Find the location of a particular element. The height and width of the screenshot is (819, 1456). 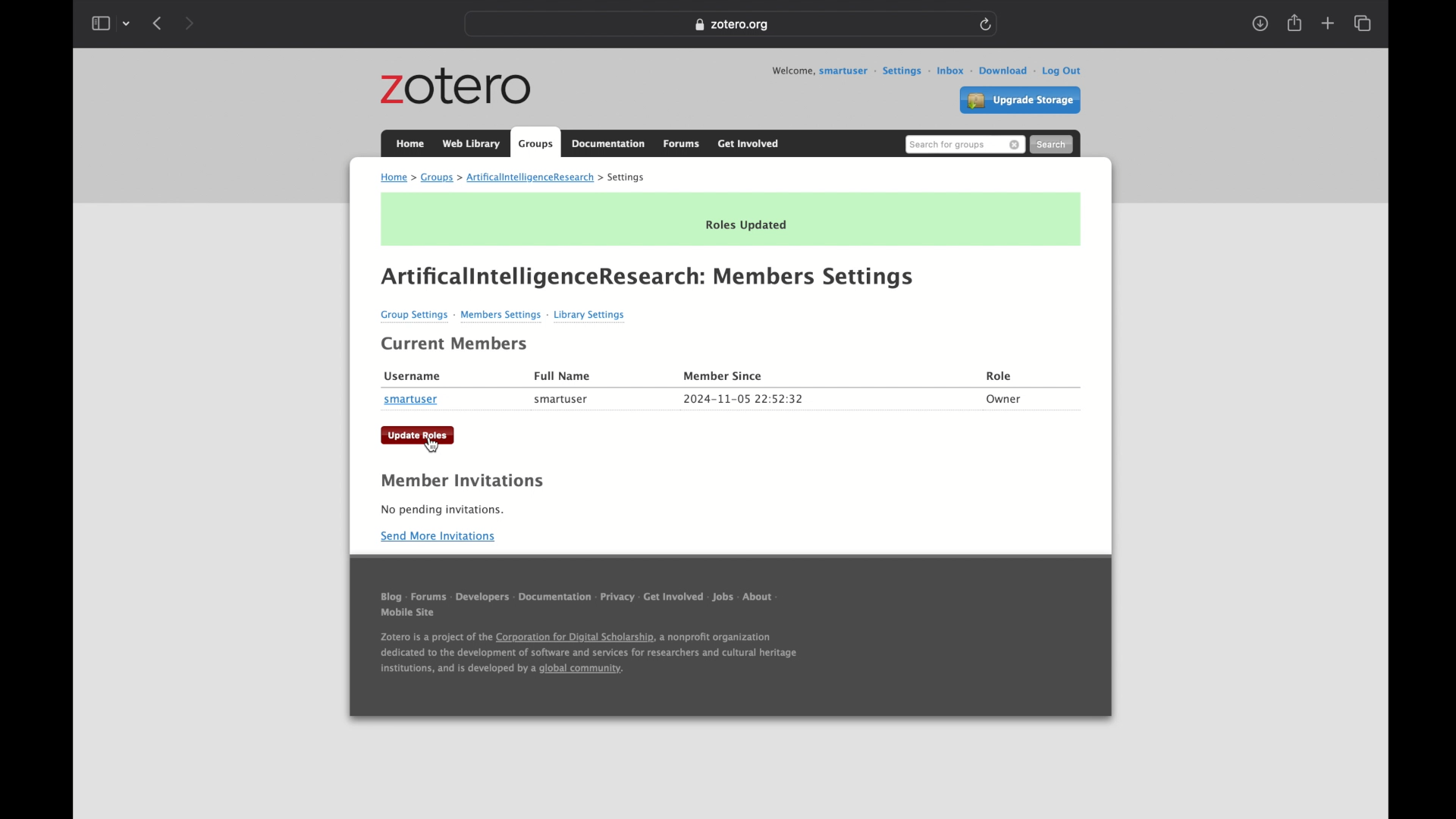

forward is located at coordinates (189, 24).